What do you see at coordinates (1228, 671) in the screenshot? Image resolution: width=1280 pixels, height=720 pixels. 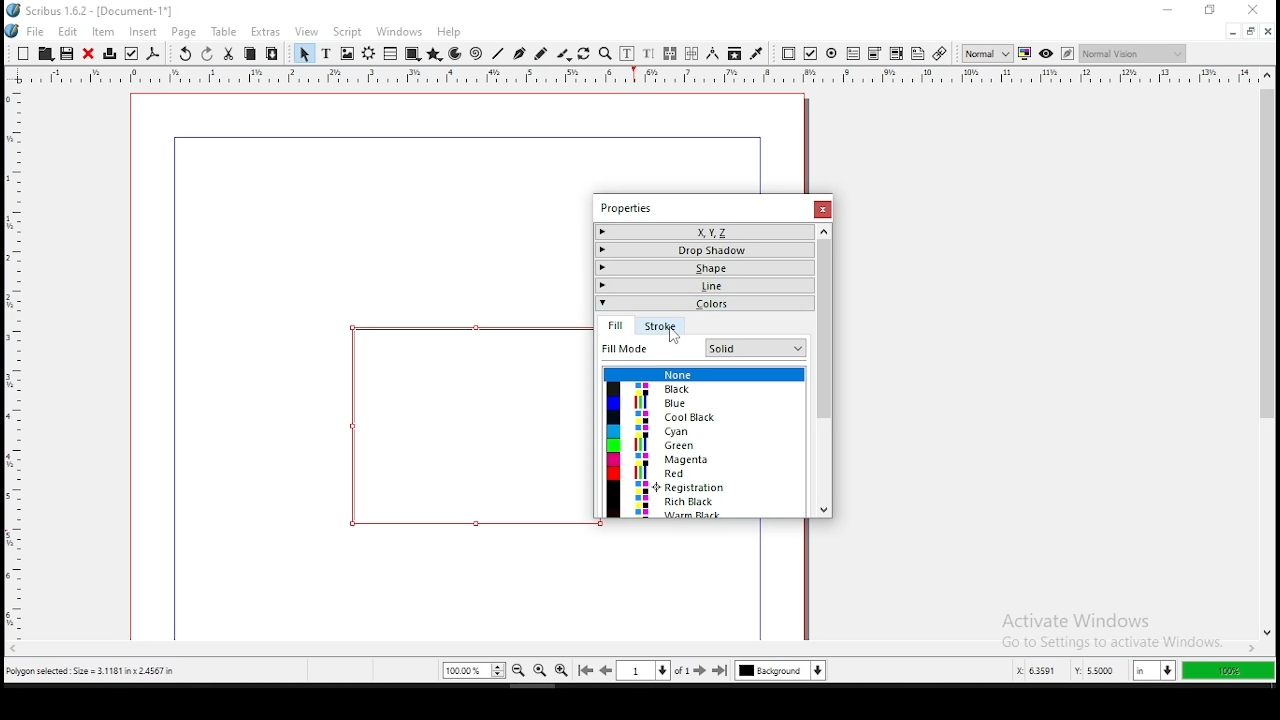 I see `100%` at bounding box center [1228, 671].